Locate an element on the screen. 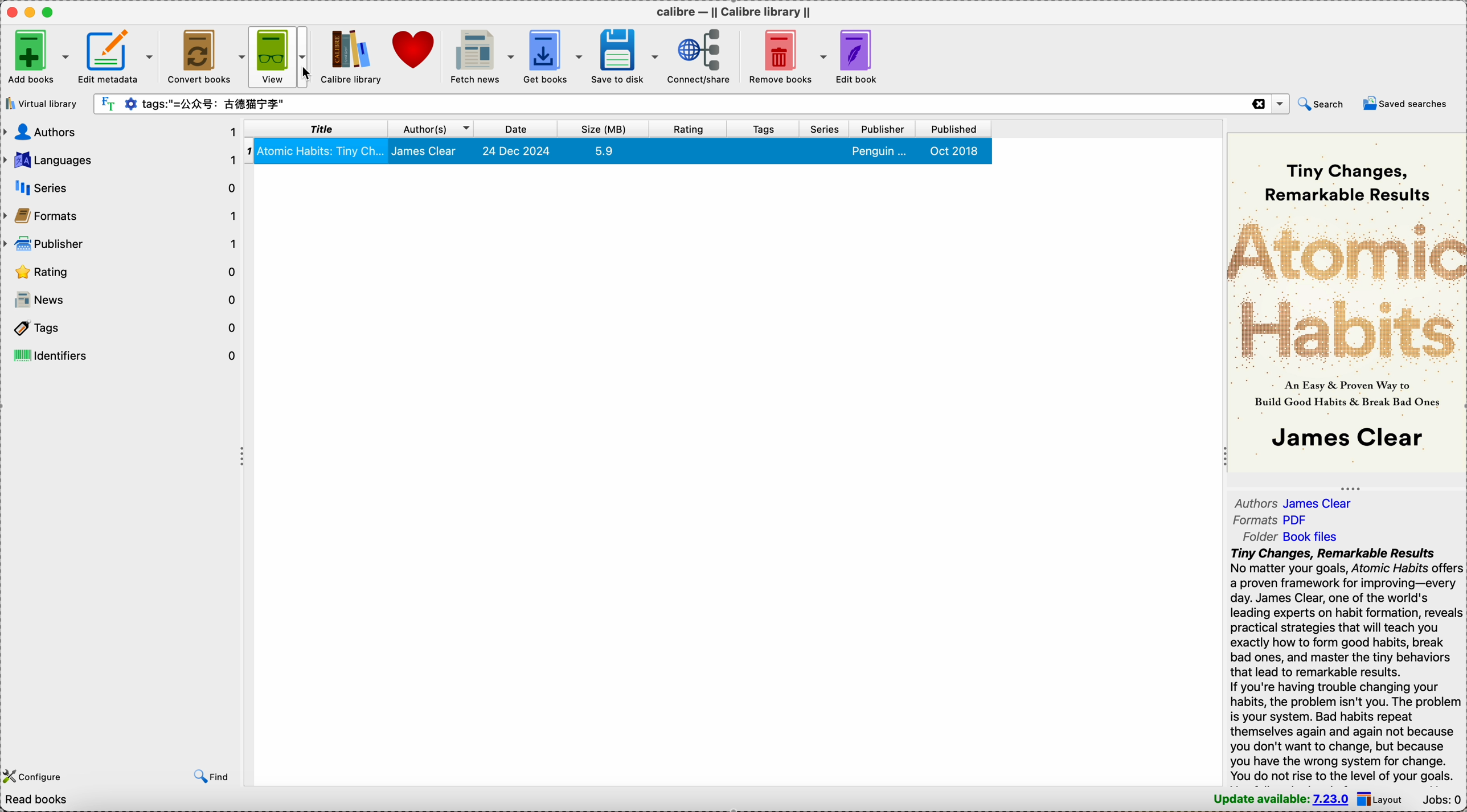 This screenshot has width=1467, height=812. authors is located at coordinates (1297, 503).